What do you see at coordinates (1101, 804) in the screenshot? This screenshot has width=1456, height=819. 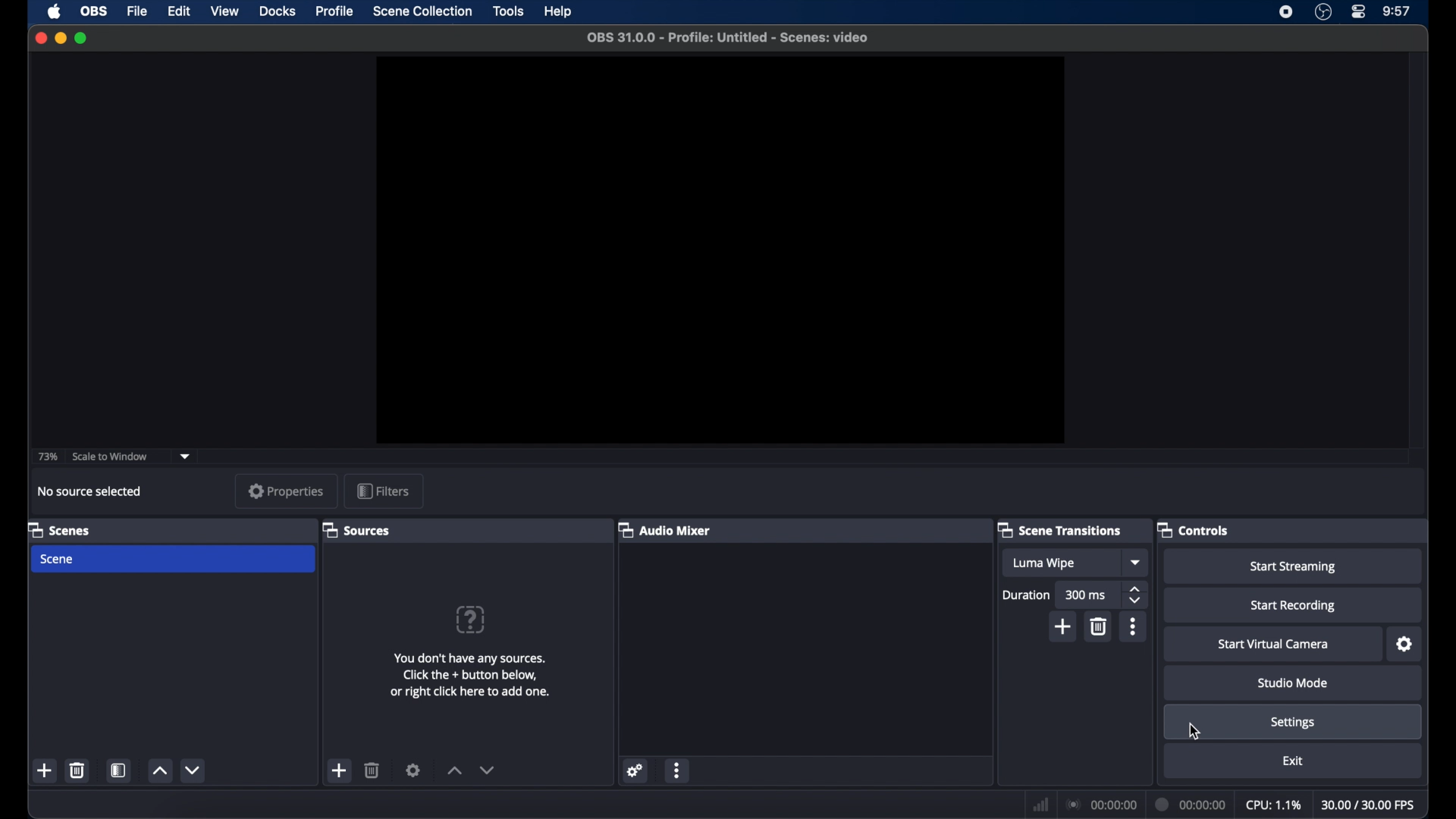 I see `connection` at bounding box center [1101, 804].